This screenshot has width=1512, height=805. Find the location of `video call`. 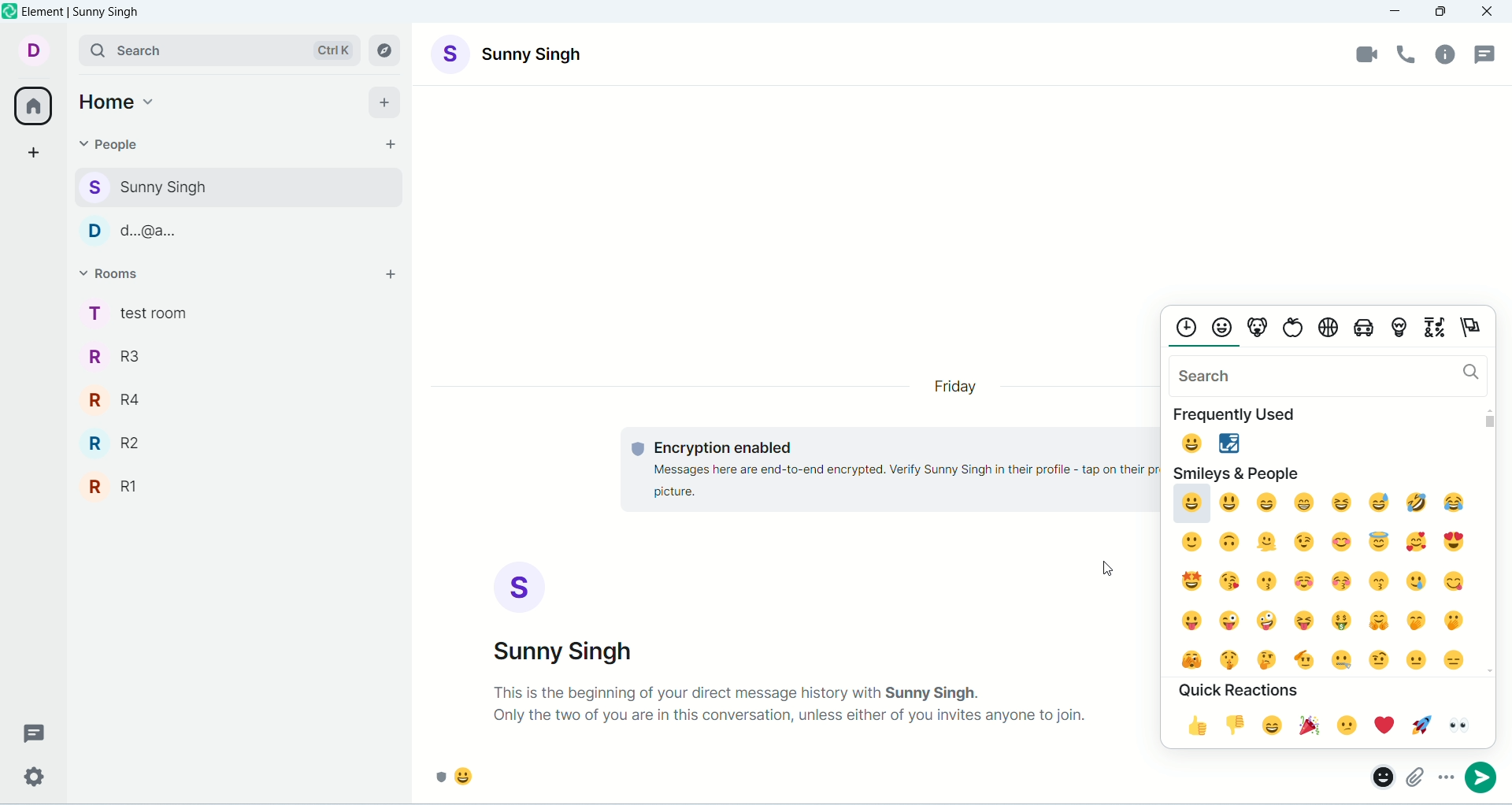

video call is located at coordinates (1365, 54).